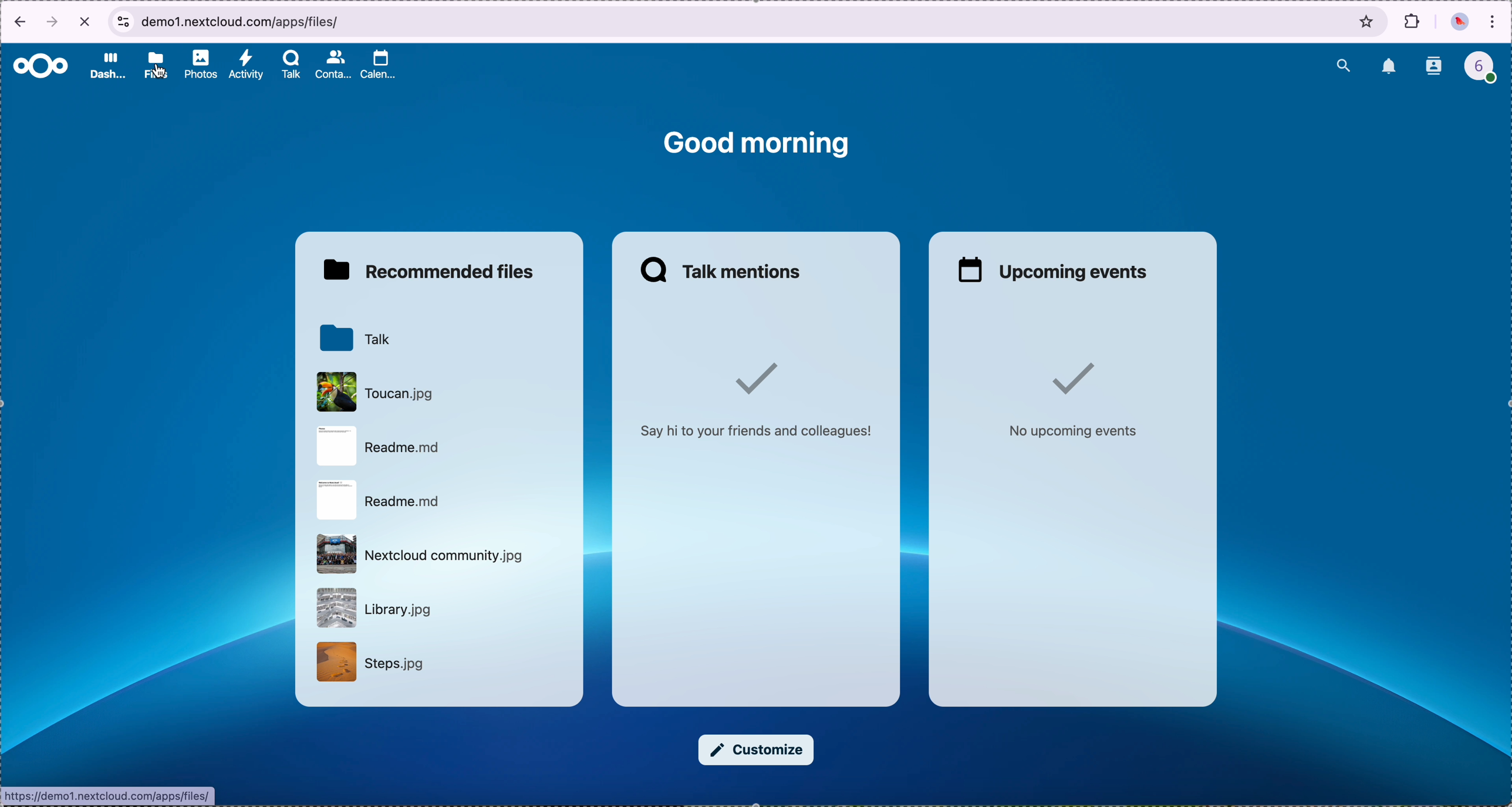  What do you see at coordinates (1487, 70) in the screenshot?
I see `profile` at bounding box center [1487, 70].